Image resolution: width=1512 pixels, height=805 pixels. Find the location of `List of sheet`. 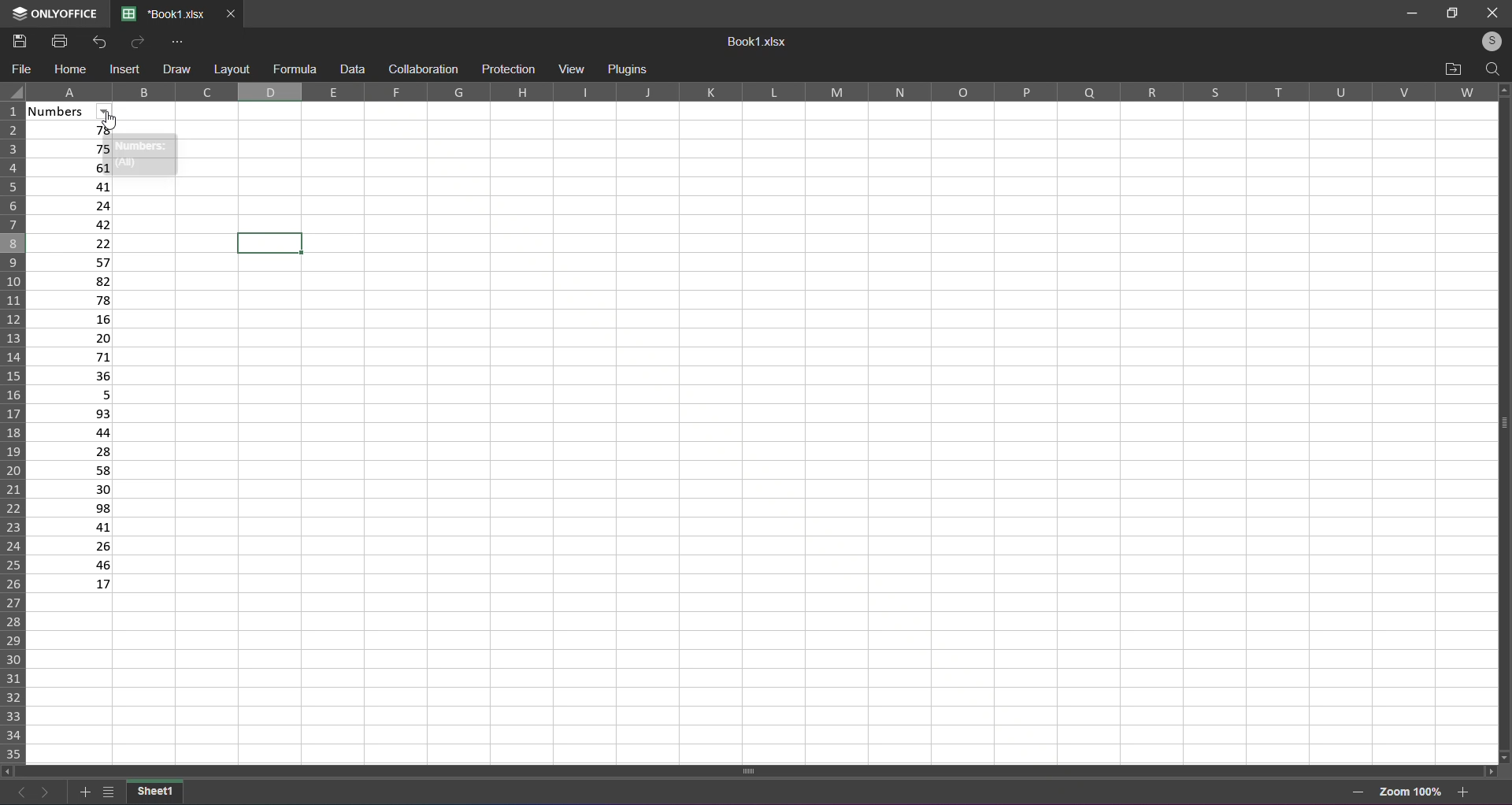

List of sheet is located at coordinates (108, 790).